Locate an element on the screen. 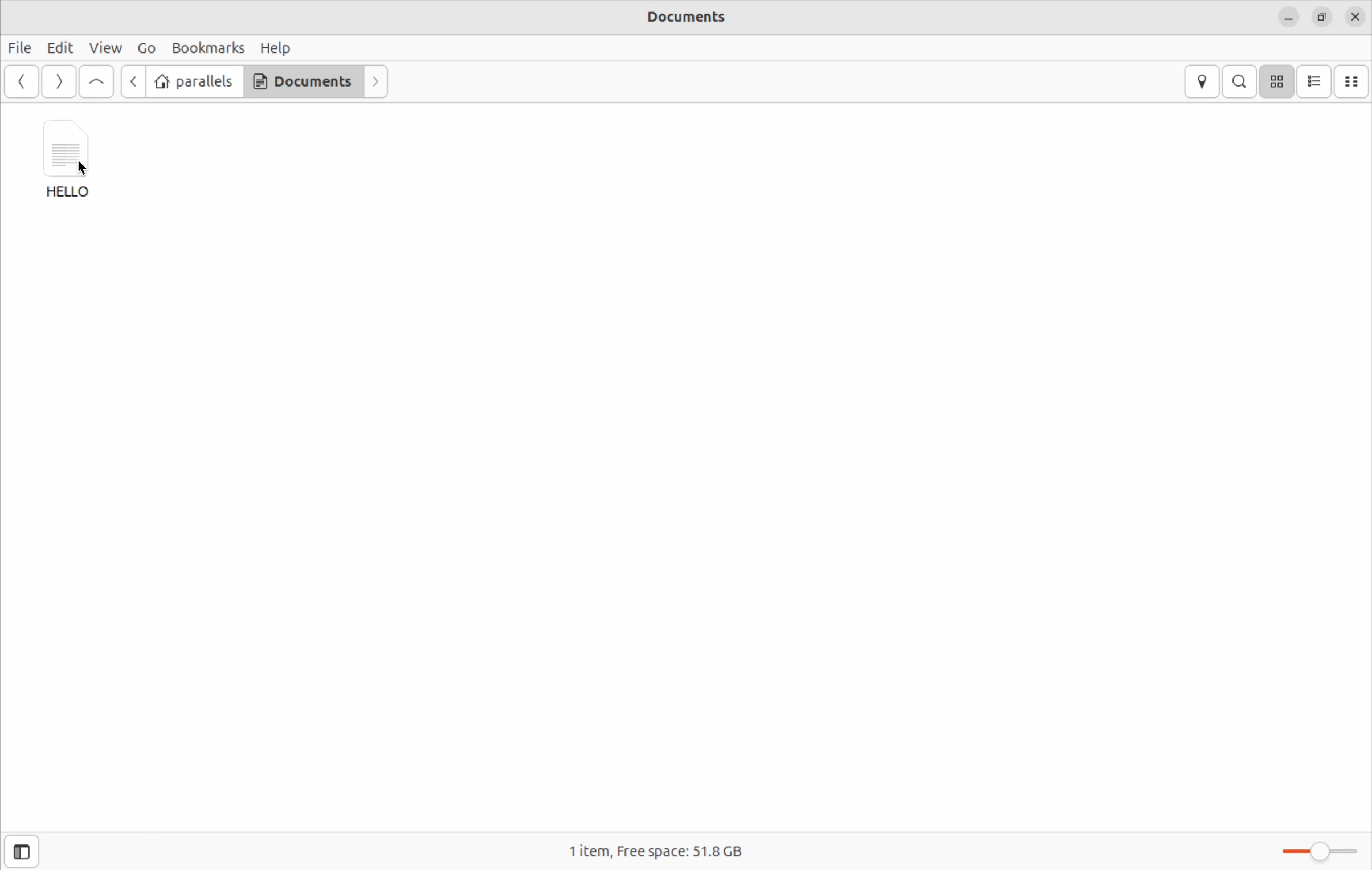 The width and height of the screenshot is (1372, 870). Close is located at coordinates (1355, 16).